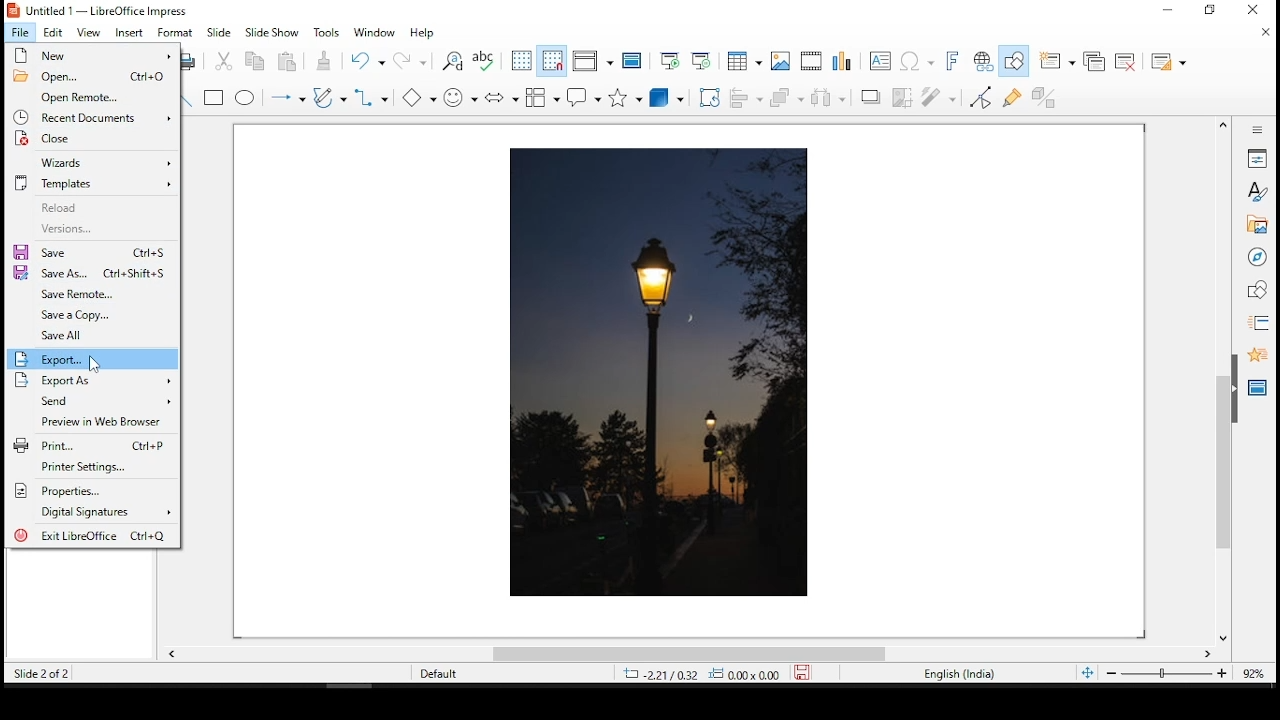  Describe the element at coordinates (955, 59) in the screenshot. I see `fontwork text` at that location.